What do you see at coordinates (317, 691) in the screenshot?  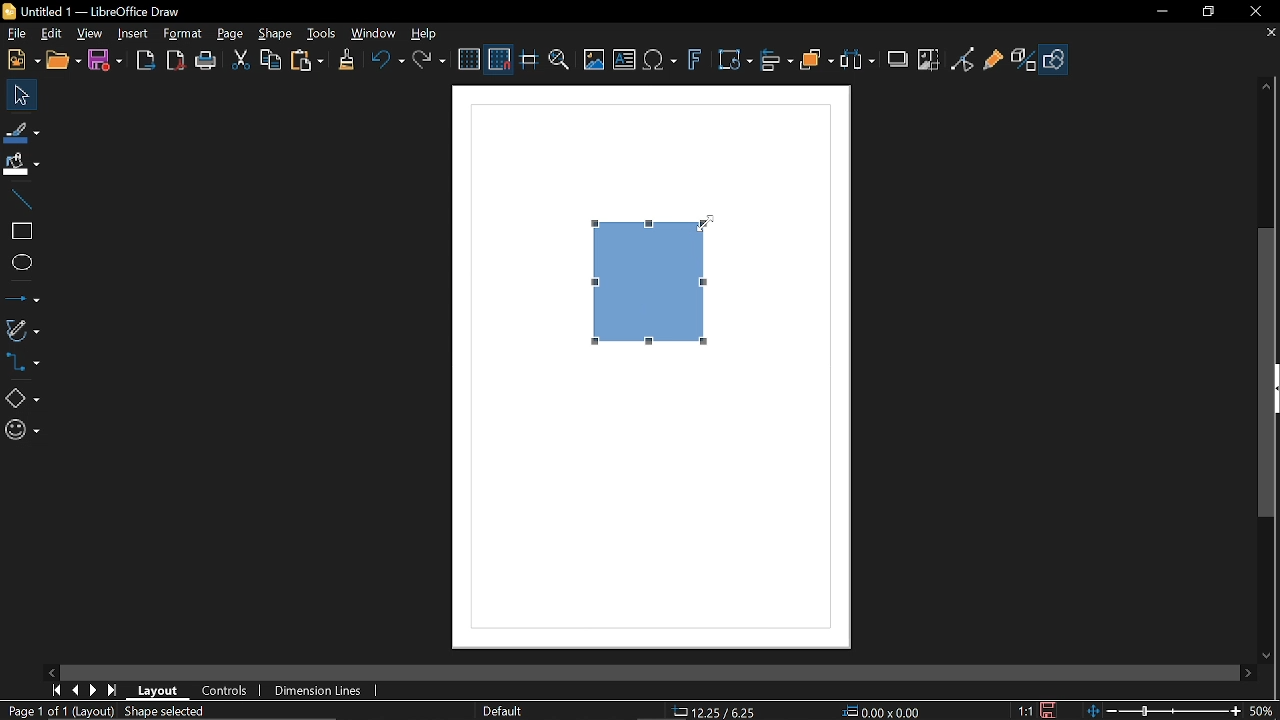 I see `Dimension lines` at bounding box center [317, 691].